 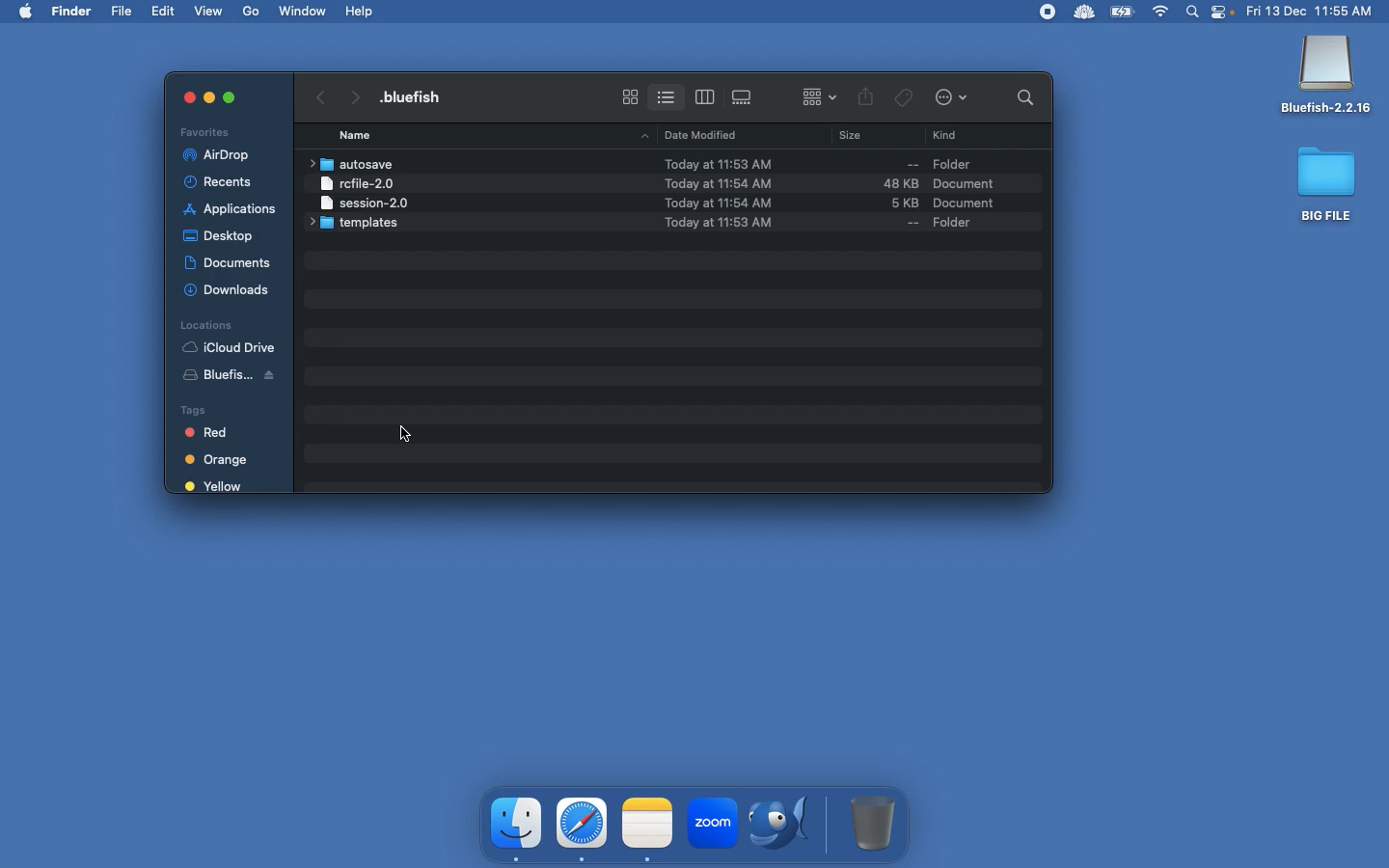 I want to click on Bluefish, so click(x=237, y=378).